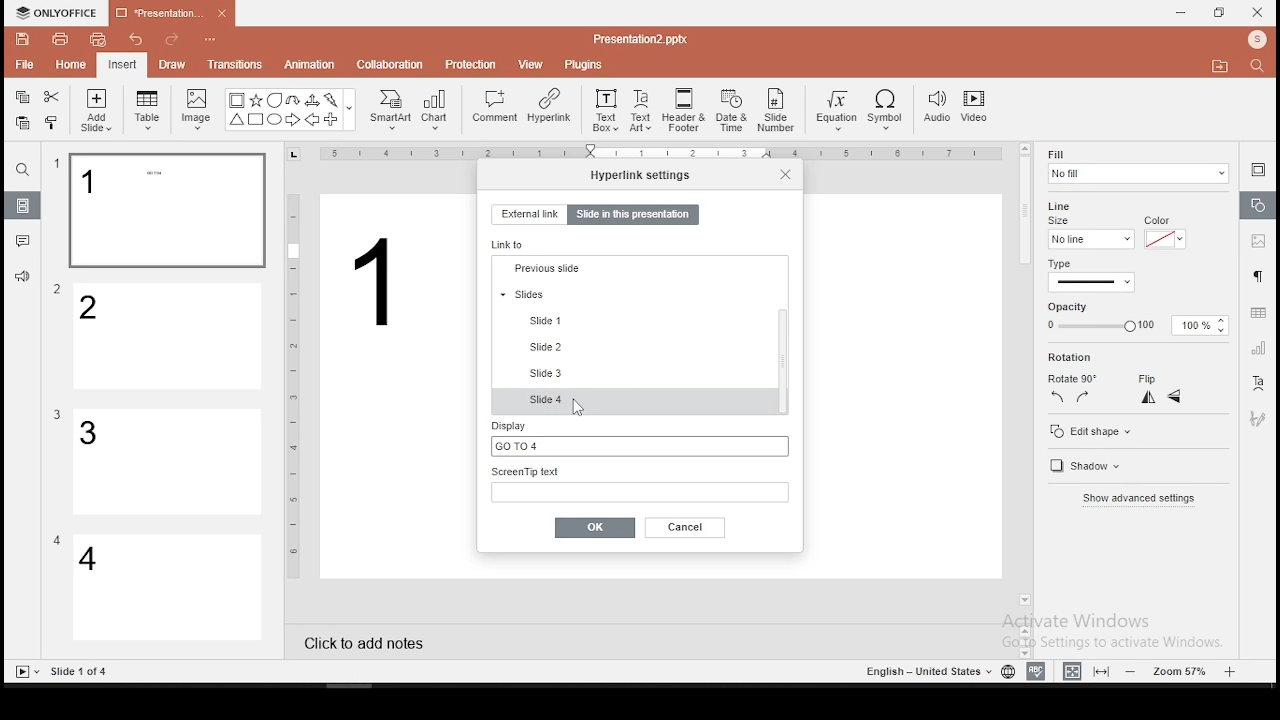 The height and width of the screenshot is (720, 1280). I want to click on line size, so click(1090, 238).